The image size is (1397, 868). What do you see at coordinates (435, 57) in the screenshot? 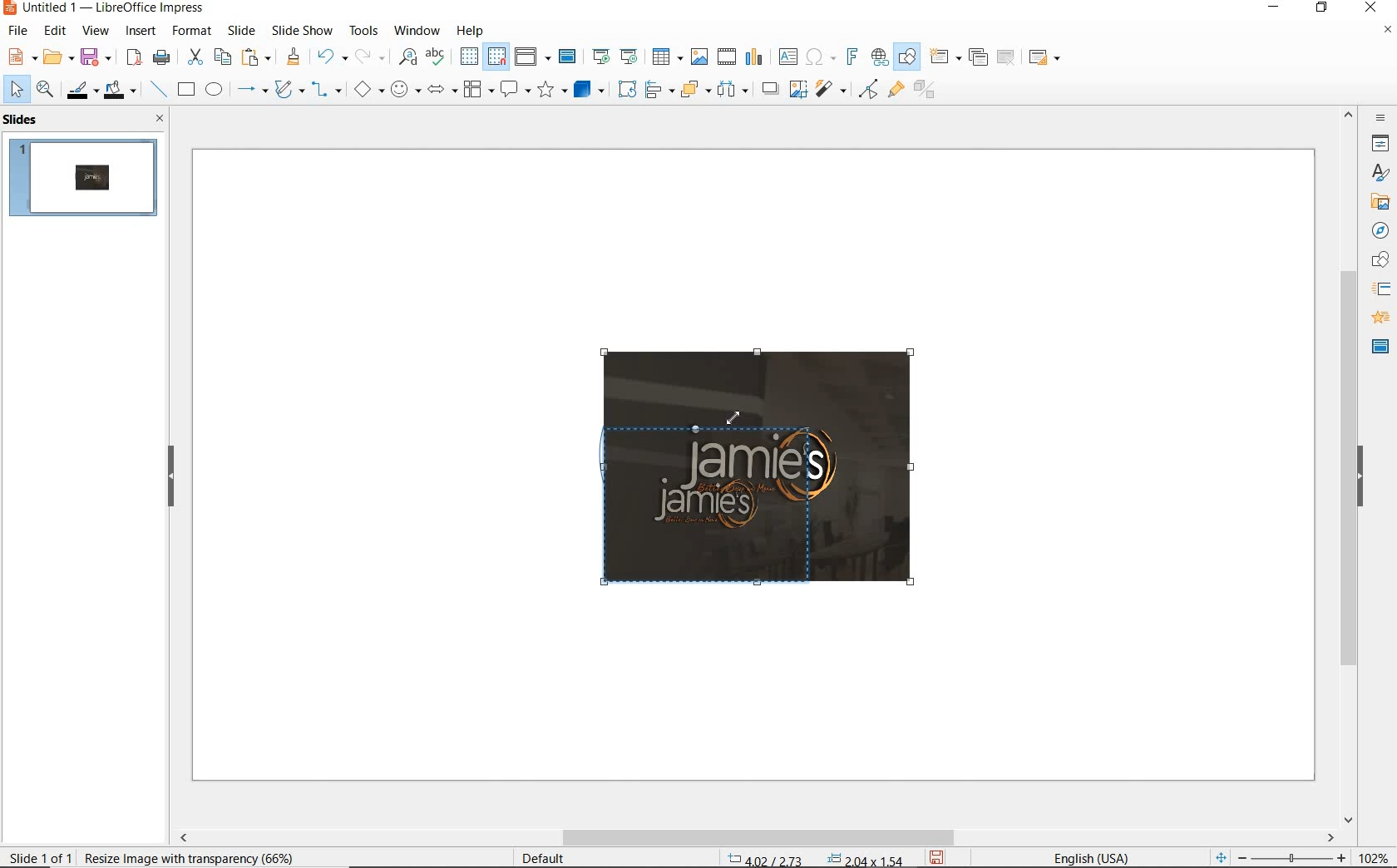
I see `spelling` at bounding box center [435, 57].